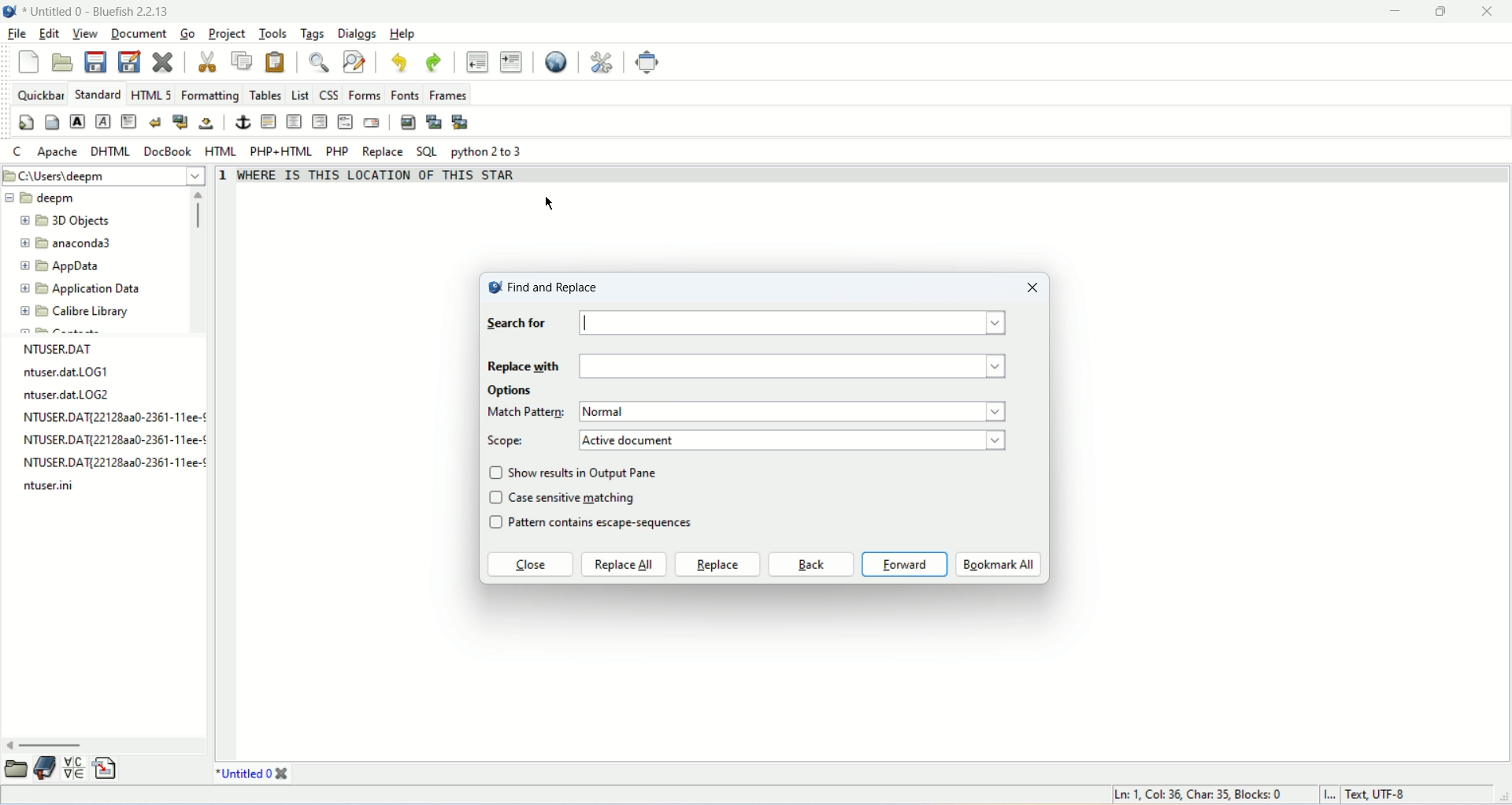 The image size is (1512, 805). I want to click on email, so click(372, 122).